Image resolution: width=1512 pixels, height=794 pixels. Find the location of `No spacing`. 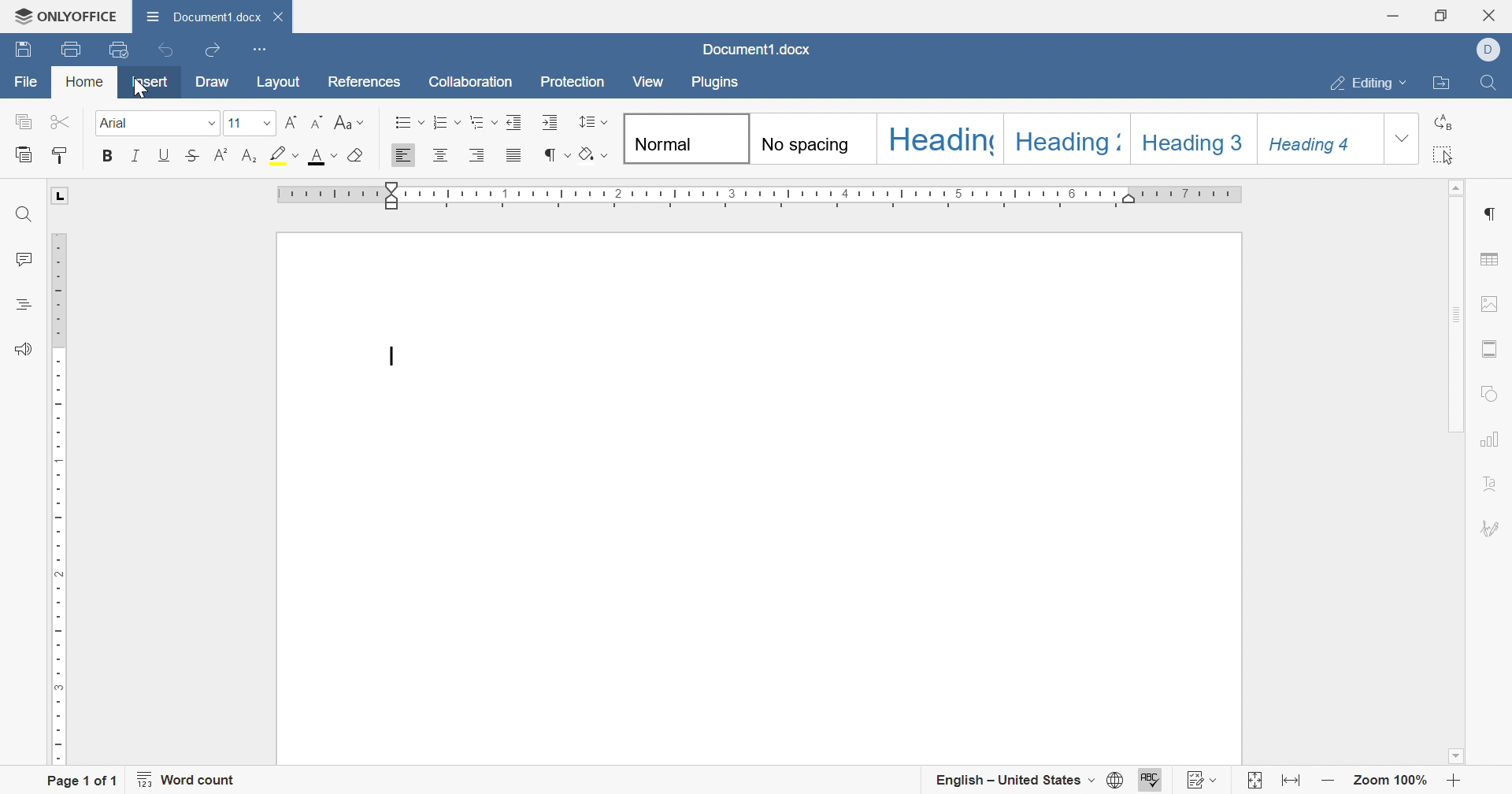

No spacing is located at coordinates (807, 145).